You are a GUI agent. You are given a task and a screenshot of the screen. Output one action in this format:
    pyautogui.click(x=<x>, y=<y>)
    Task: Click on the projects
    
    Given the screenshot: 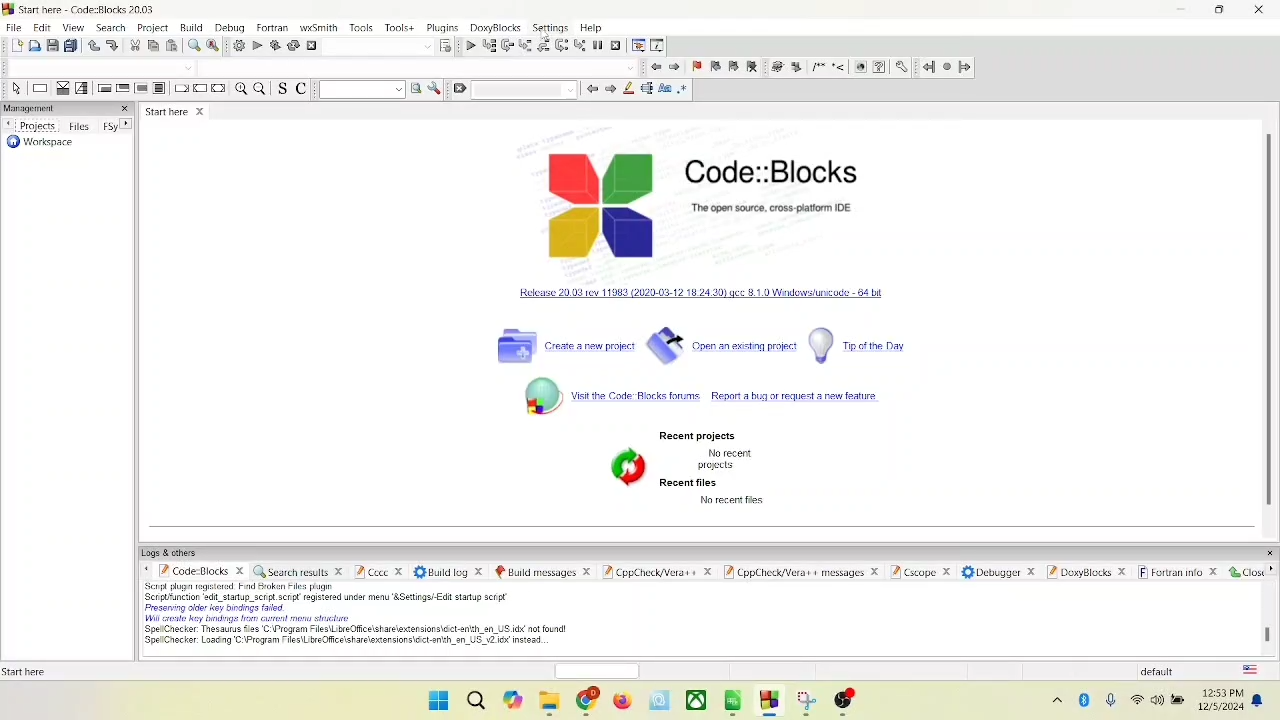 What is the action you would take?
    pyautogui.click(x=30, y=125)
    